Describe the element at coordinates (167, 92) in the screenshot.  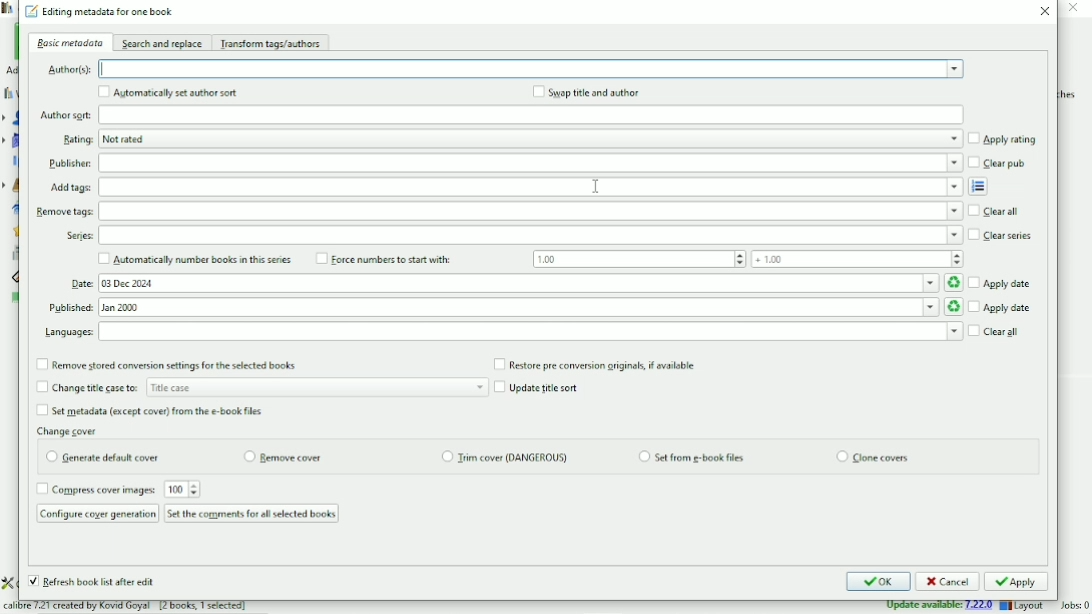
I see `Automatically set author sort` at that location.